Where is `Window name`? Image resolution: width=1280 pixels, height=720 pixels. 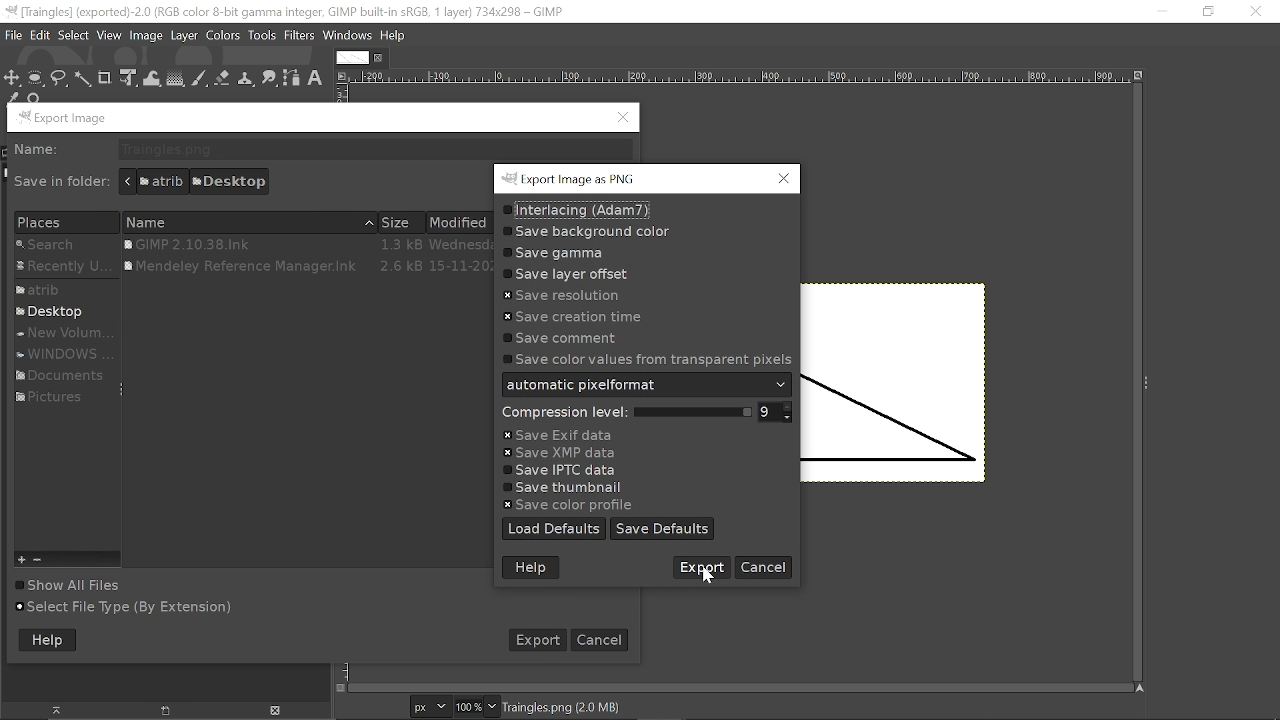 Window name is located at coordinates (66, 118).